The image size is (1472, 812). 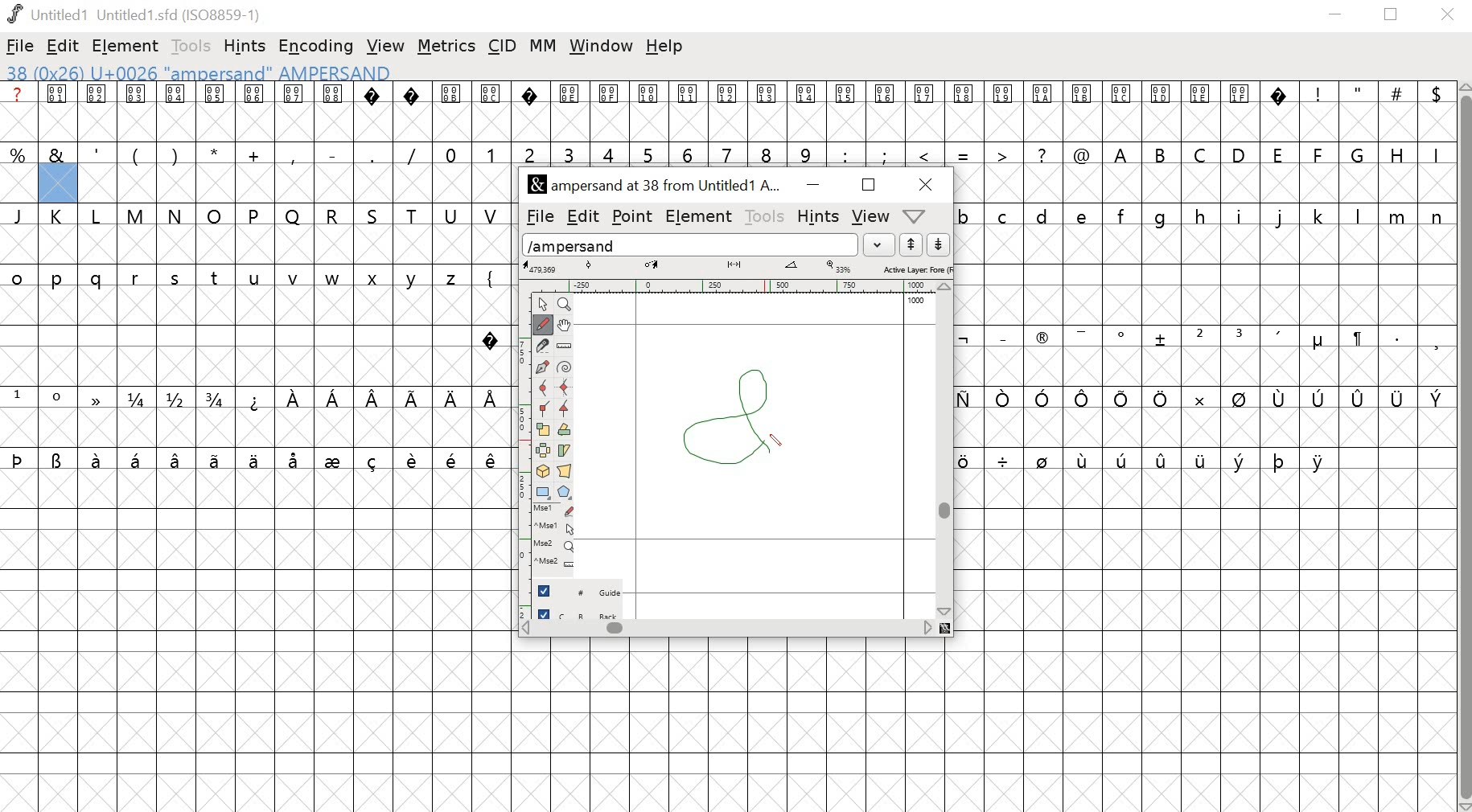 What do you see at coordinates (19, 396) in the screenshot?
I see `1` at bounding box center [19, 396].